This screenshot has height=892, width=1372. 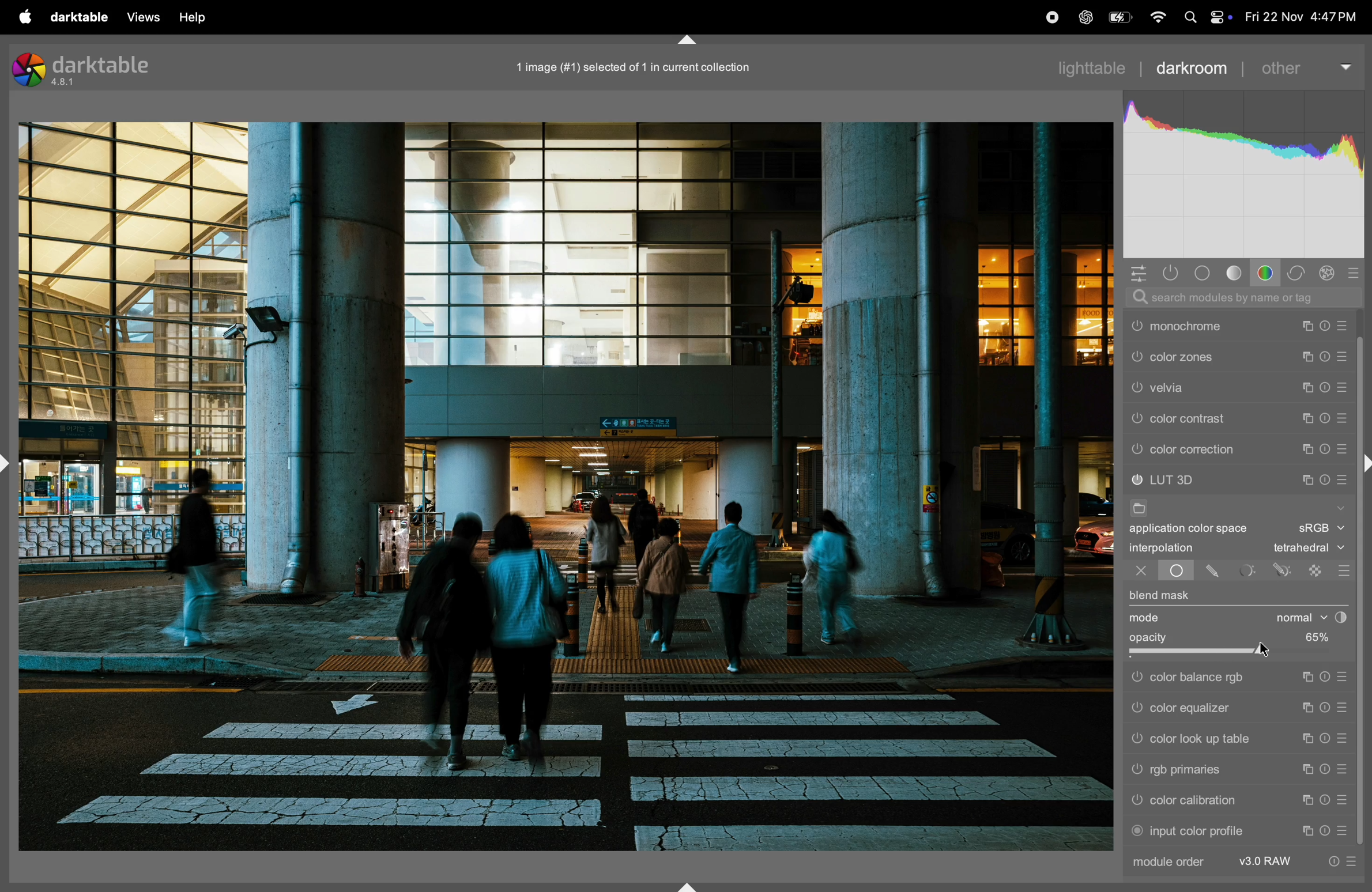 What do you see at coordinates (1341, 770) in the screenshot?
I see `presets` at bounding box center [1341, 770].